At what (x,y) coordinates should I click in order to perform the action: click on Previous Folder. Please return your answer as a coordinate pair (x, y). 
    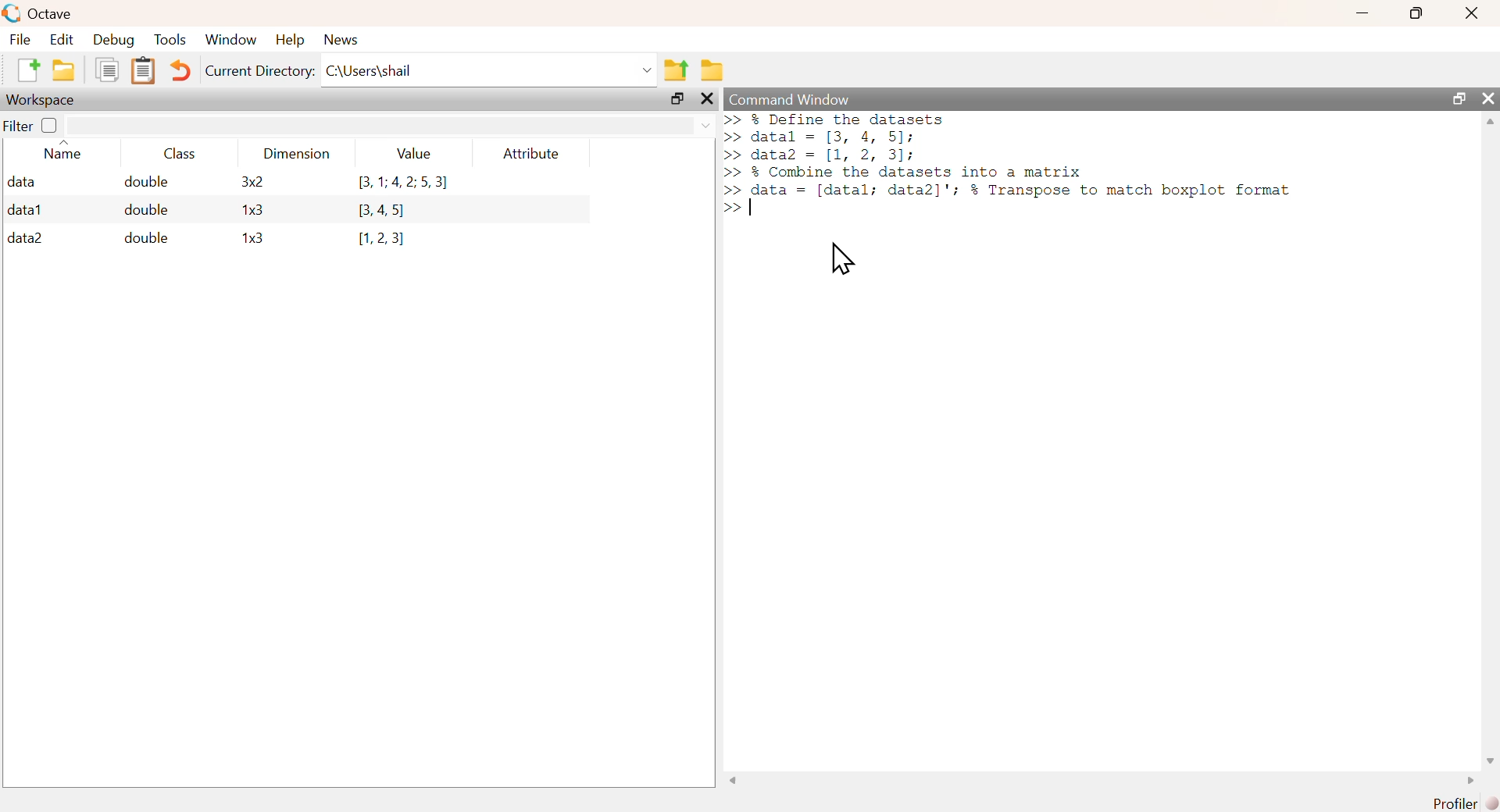
    Looking at the image, I should click on (677, 70).